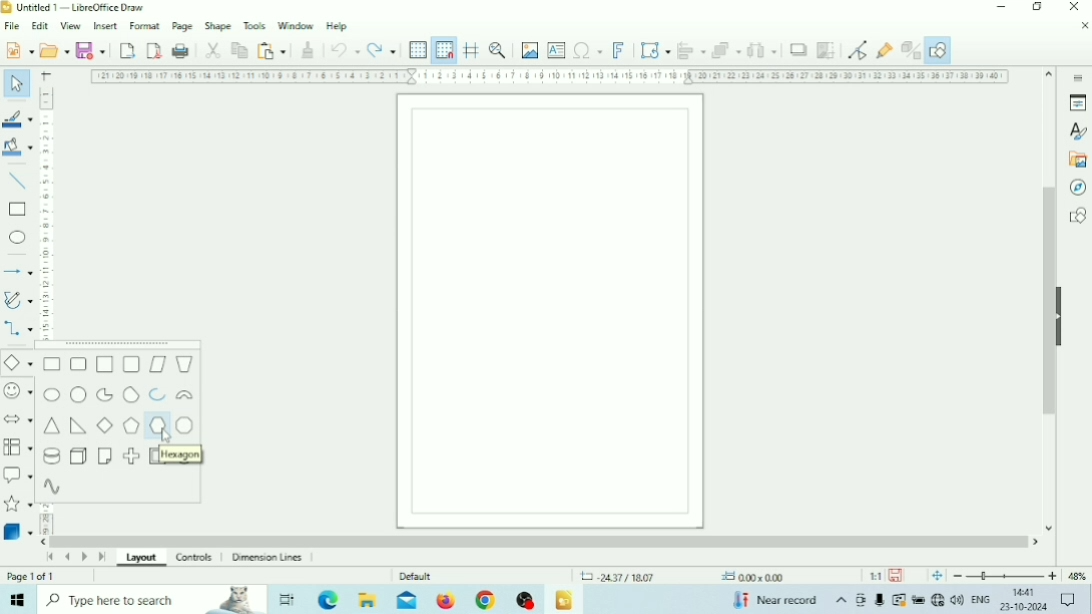 The width and height of the screenshot is (1092, 614). What do you see at coordinates (338, 27) in the screenshot?
I see `Help` at bounding box center [338, 27].